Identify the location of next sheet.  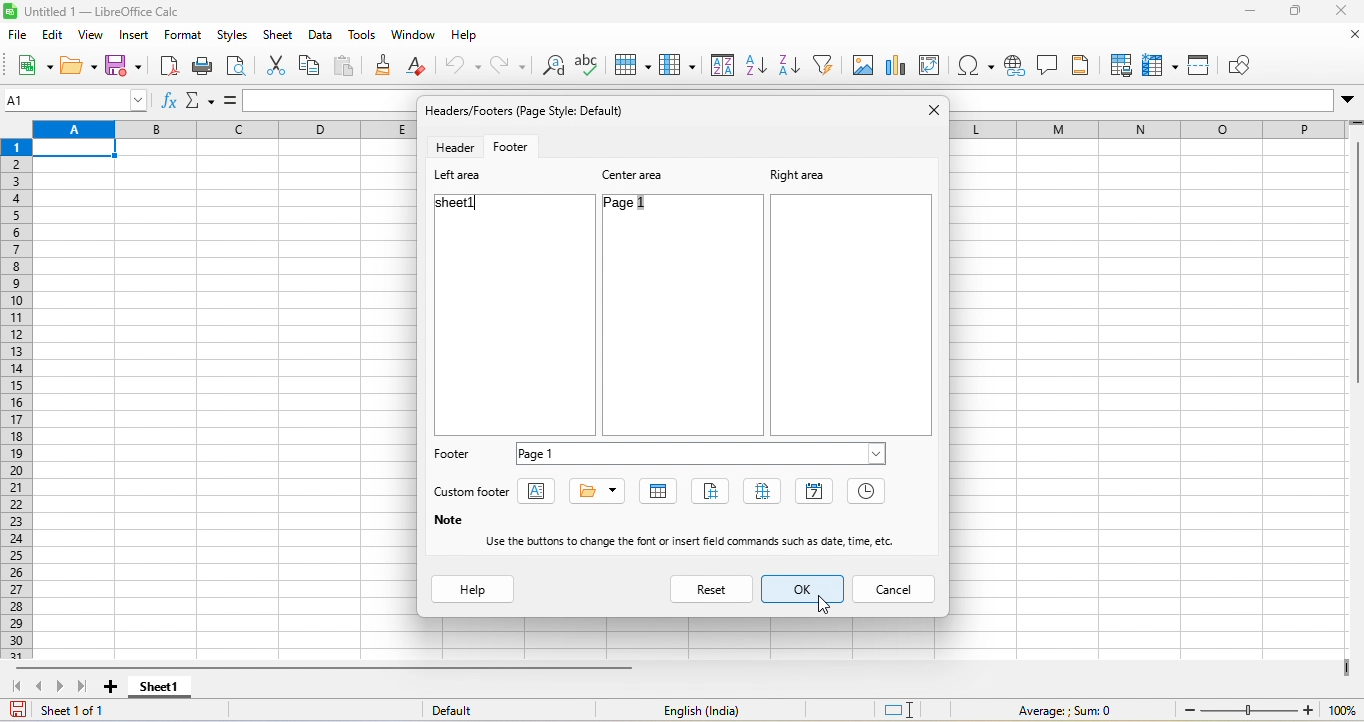
(63, 686).